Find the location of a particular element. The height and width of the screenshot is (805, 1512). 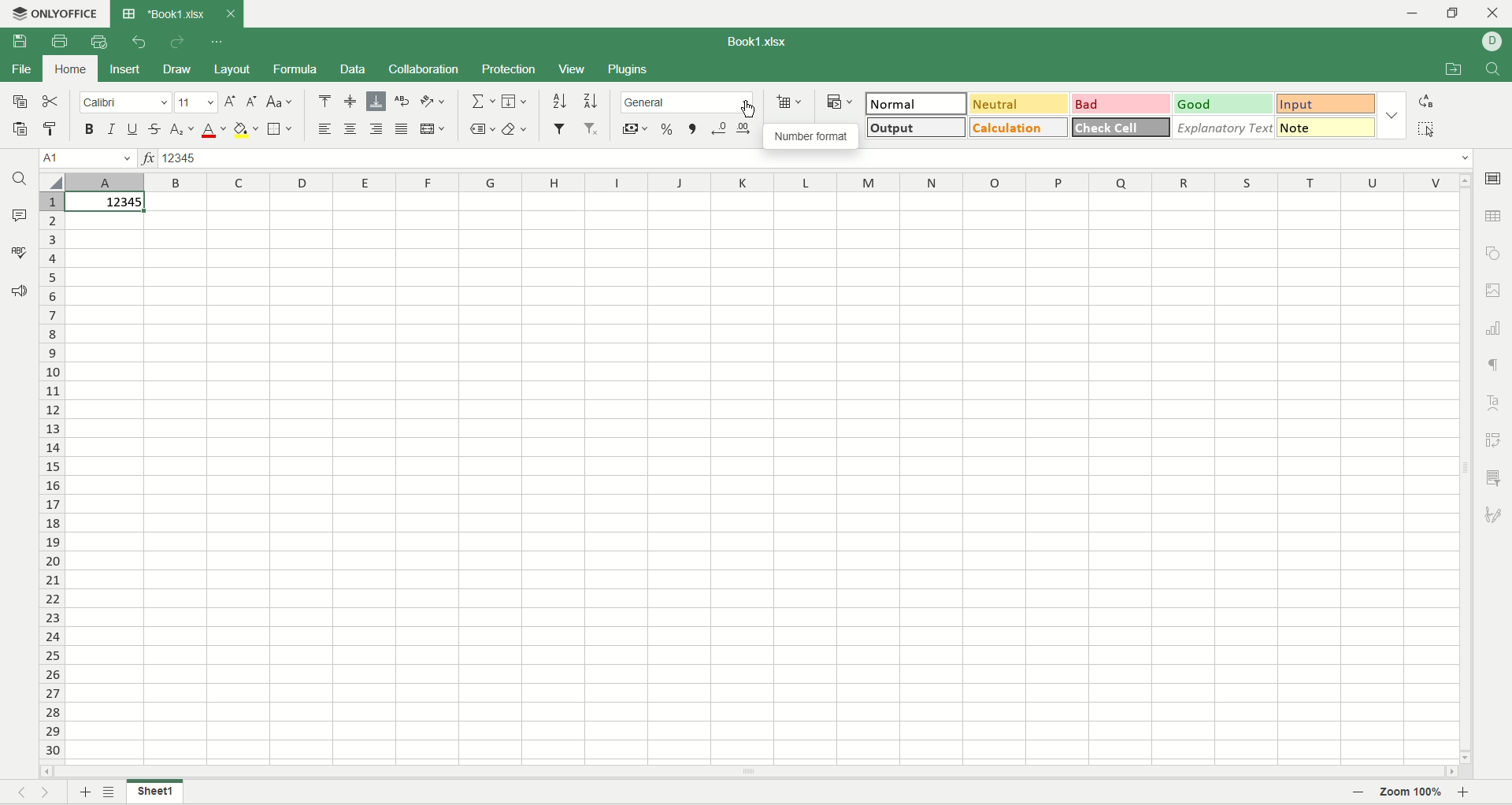

table settings is located at coordinates (1496, 216).